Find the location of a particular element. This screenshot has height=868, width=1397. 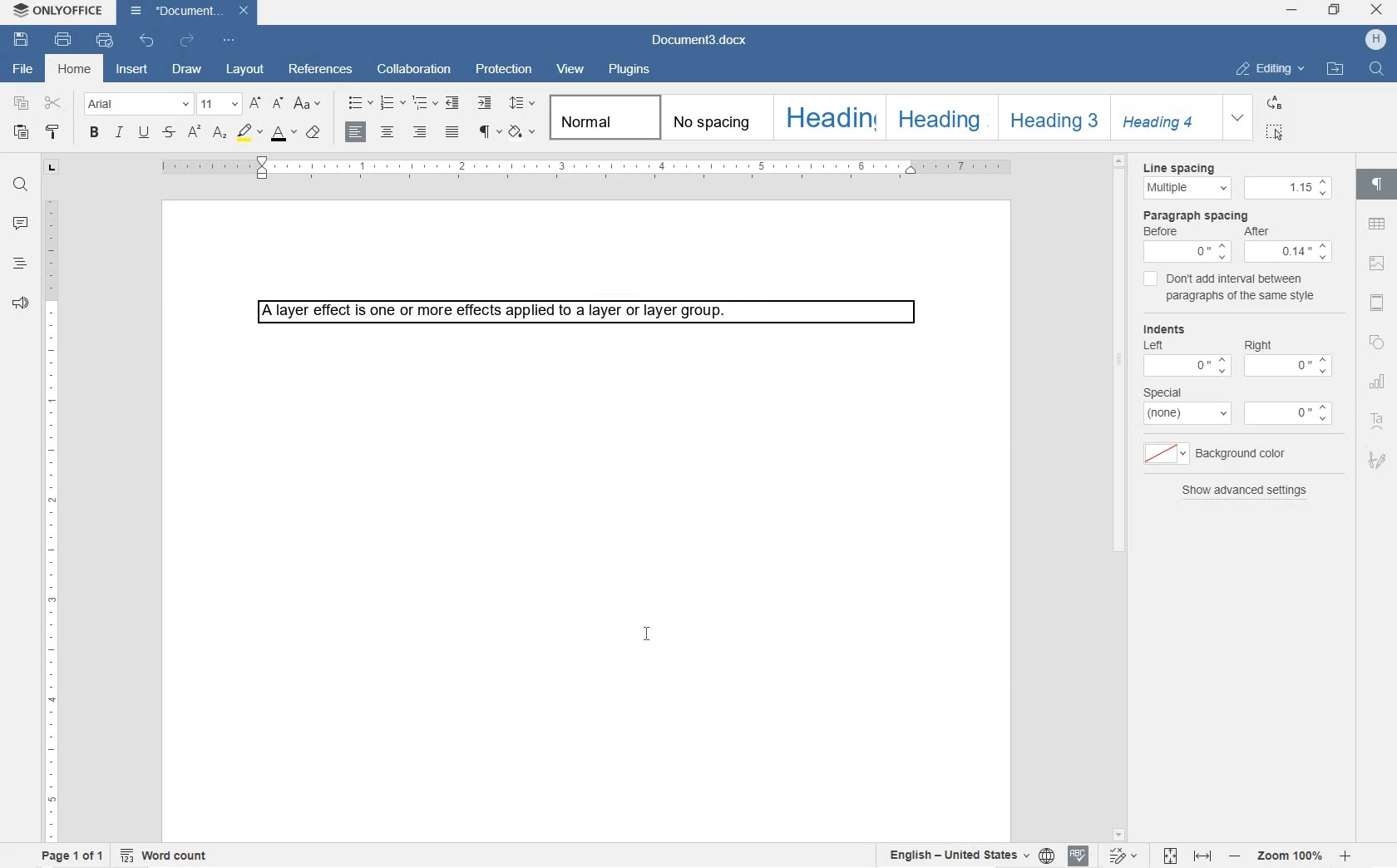

Special is located at coordinates (1187, 403).